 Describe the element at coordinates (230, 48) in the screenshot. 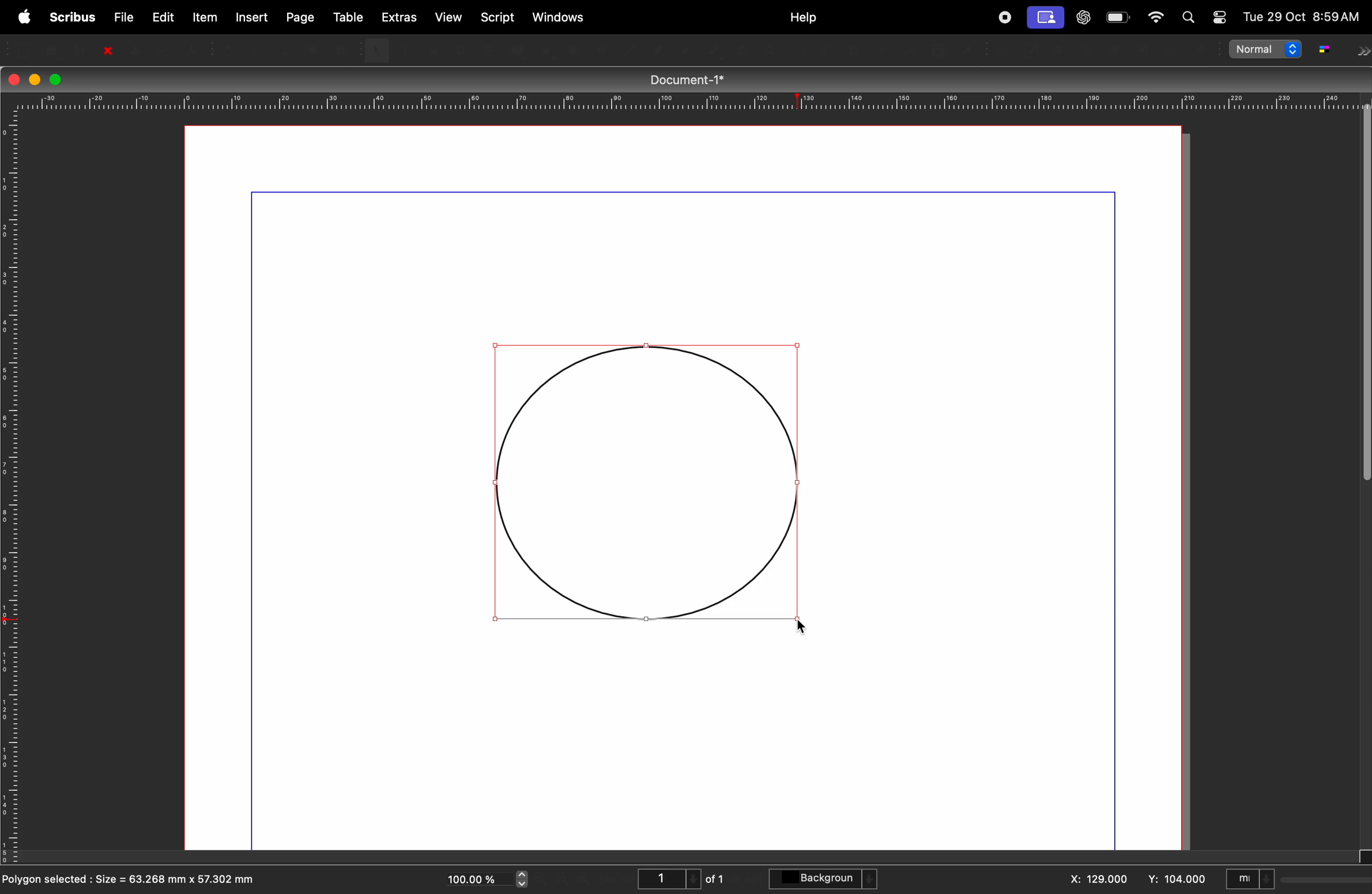

I see `Undo` at that location.